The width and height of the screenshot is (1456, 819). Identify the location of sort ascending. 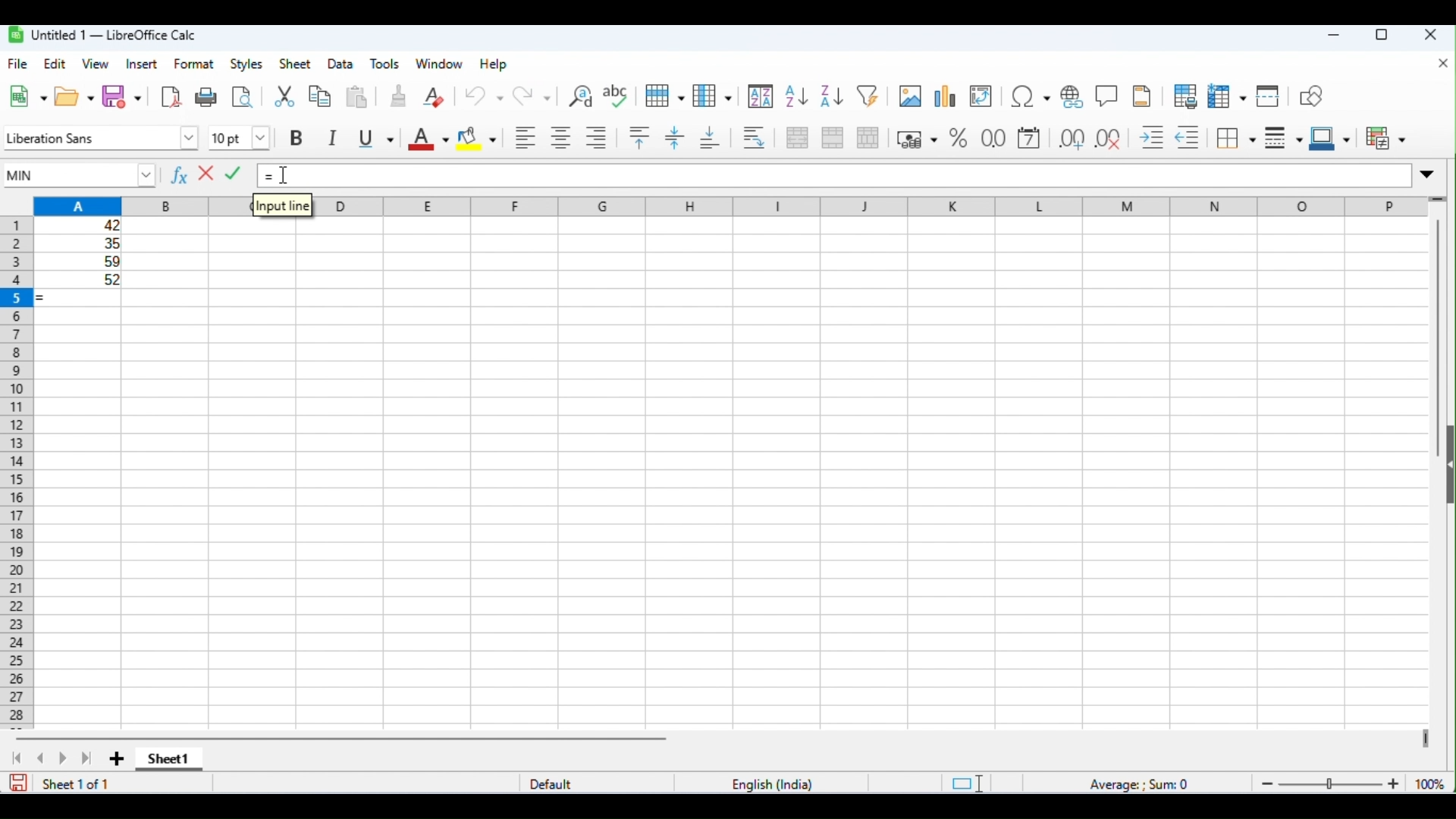
(797, 96).